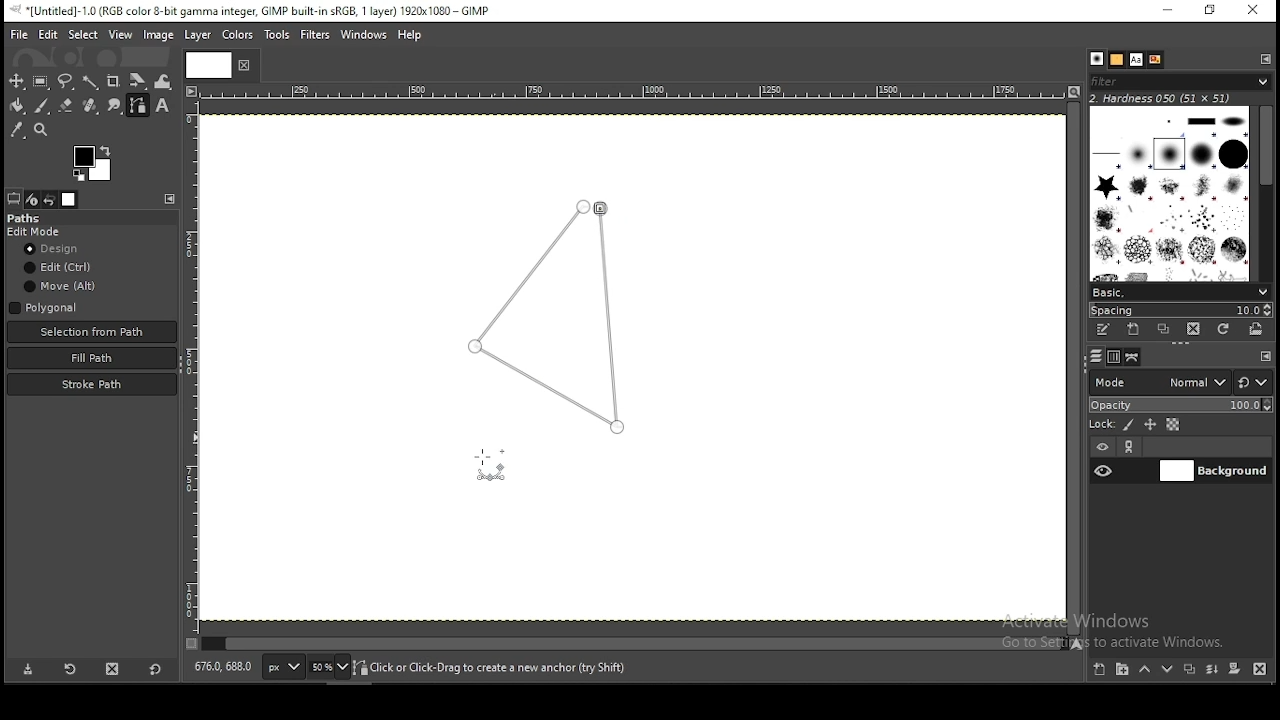 The height and width of the screenshot is (720, 1280). I want to click on open brush as image, so click(1255, 331).